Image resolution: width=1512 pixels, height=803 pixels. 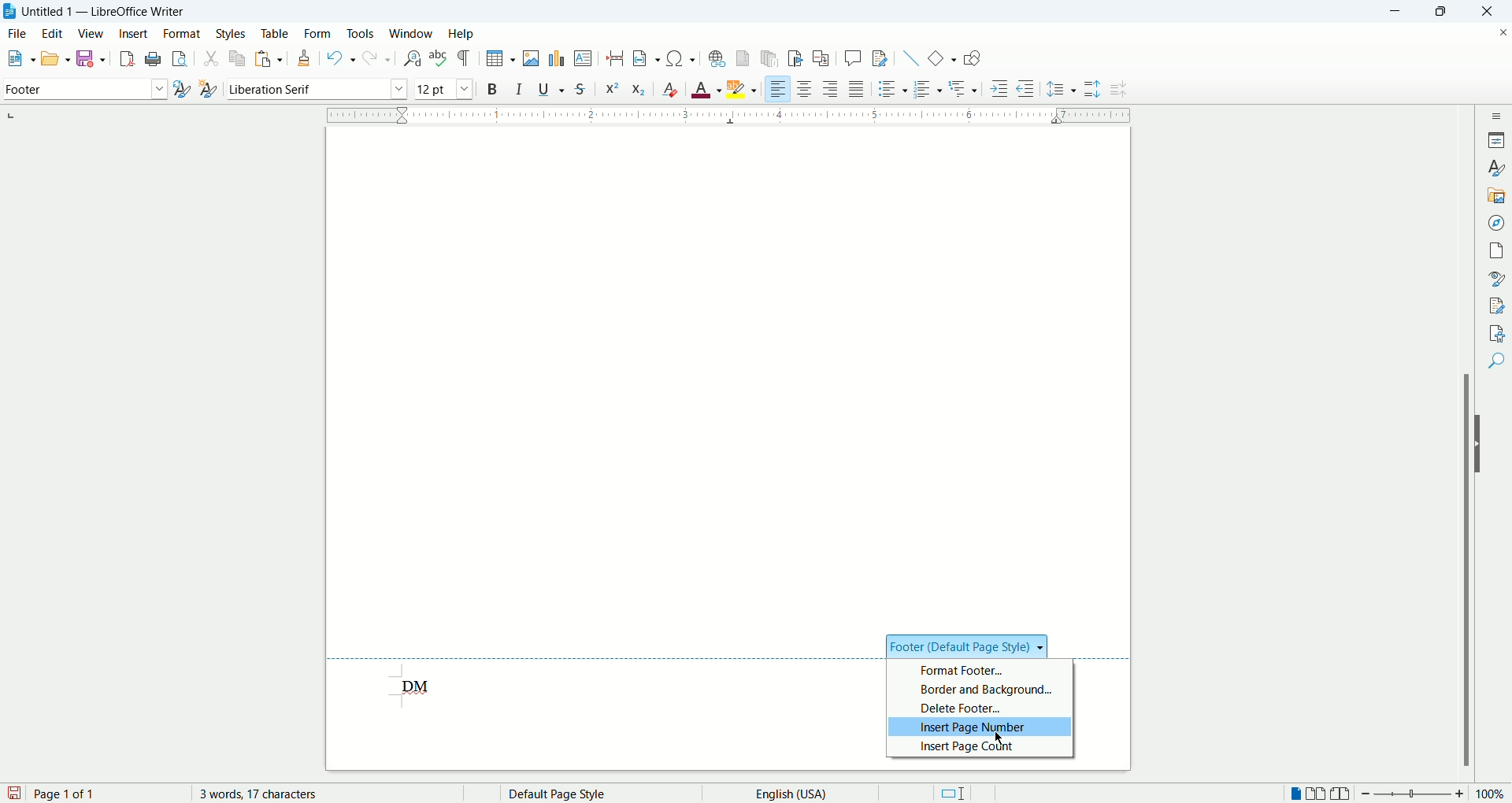 What do you see at coordinates (587, 794) in the screenshot?
I see `page style` at bounding box center [587, 794].